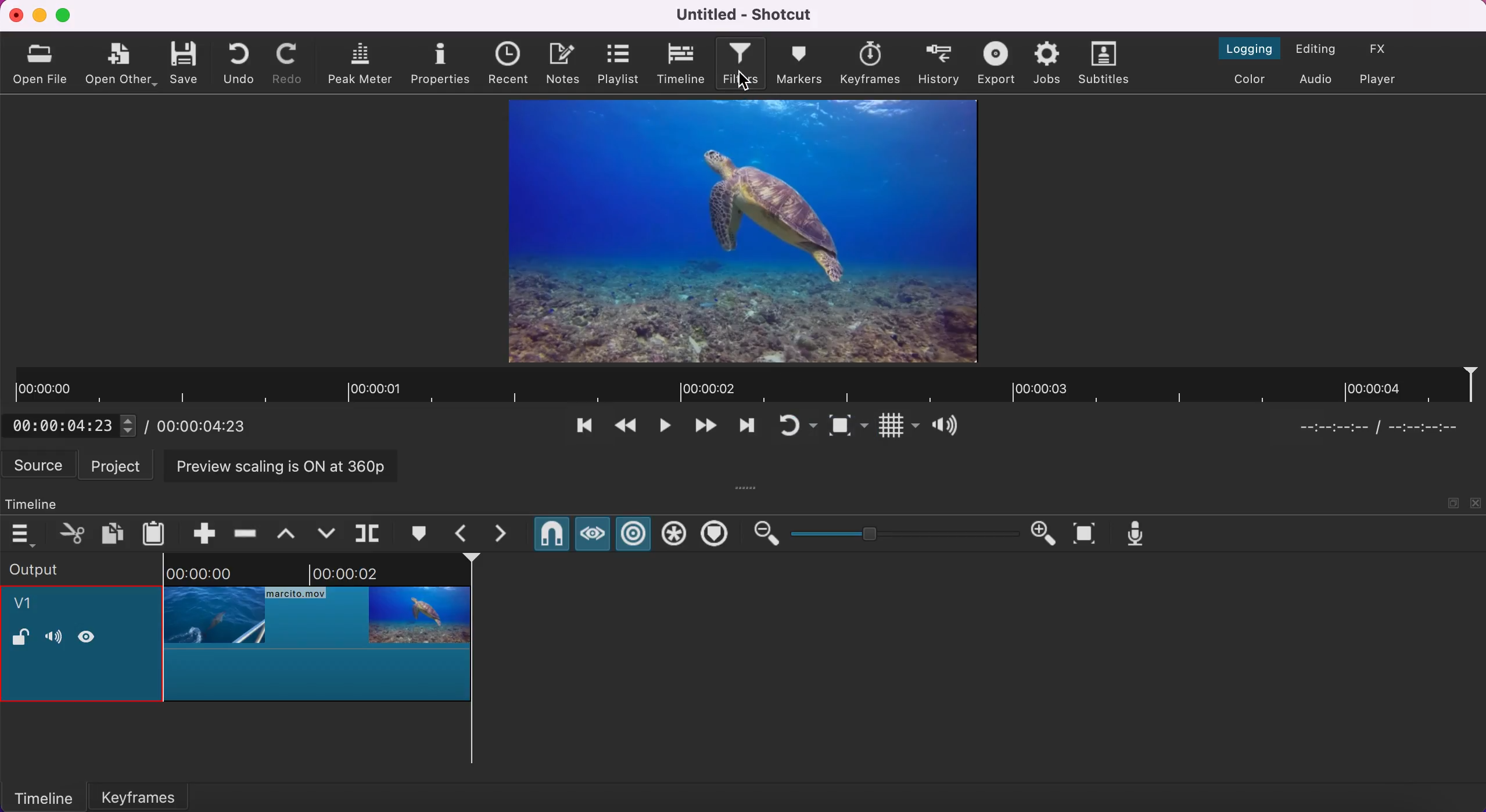 This screenshot has width=1486, height=812. What do you see at coordinates (869, 63) in the screenshot?
I see `keyframes` at bounding box center [869, 63].